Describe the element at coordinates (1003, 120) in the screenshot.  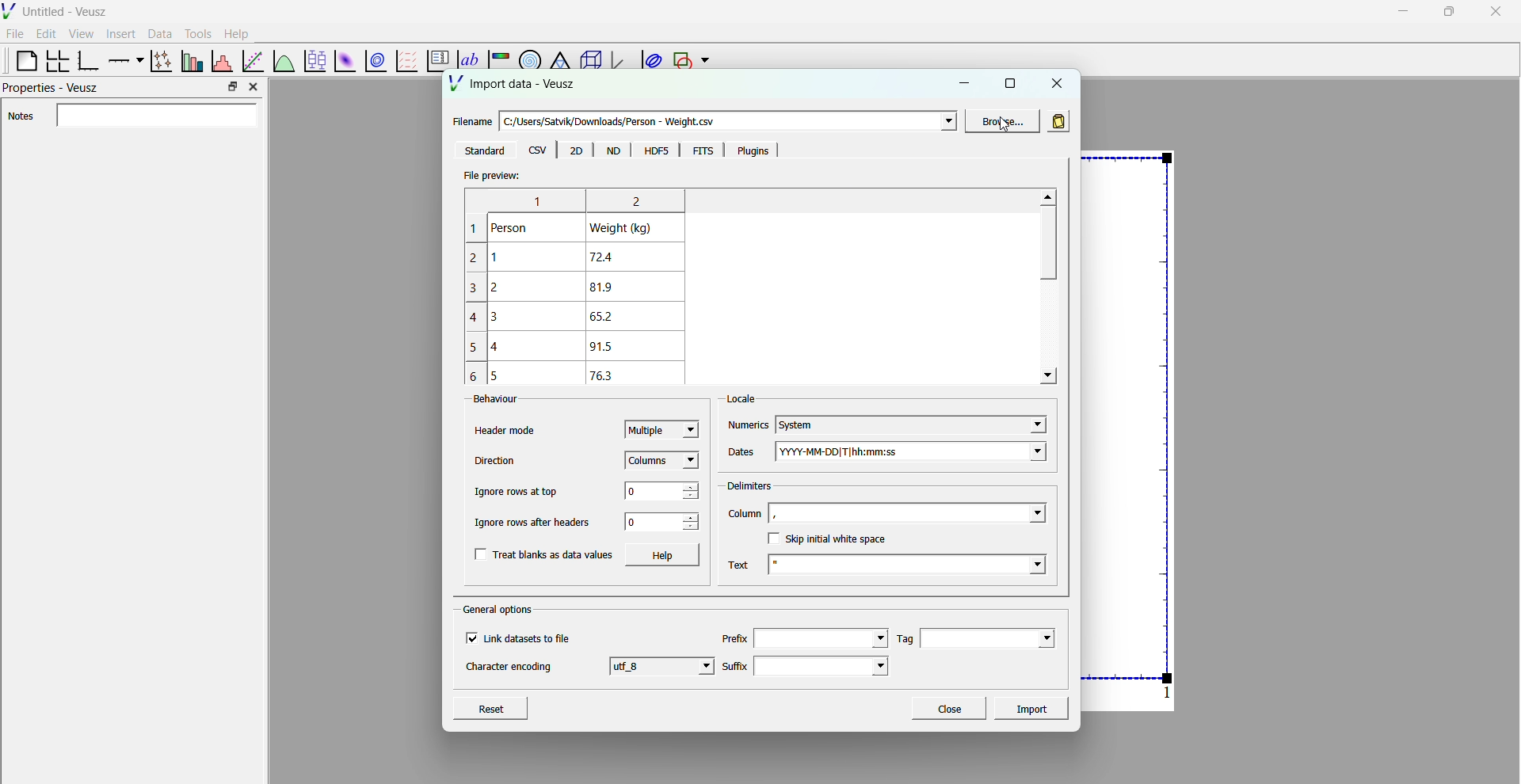
I see `Browse` at that location.